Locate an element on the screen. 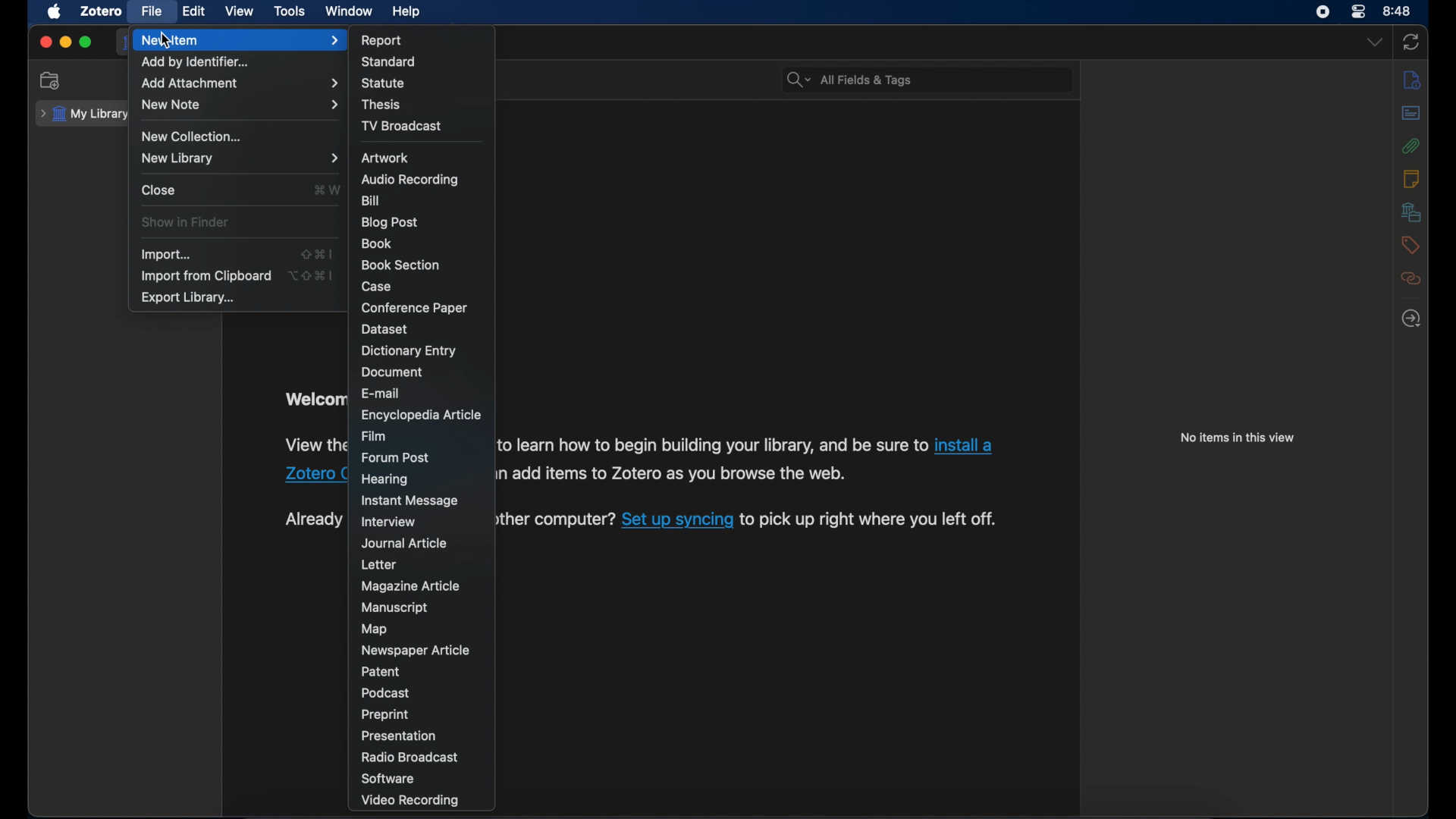  import is located at coordinates (167, 255).